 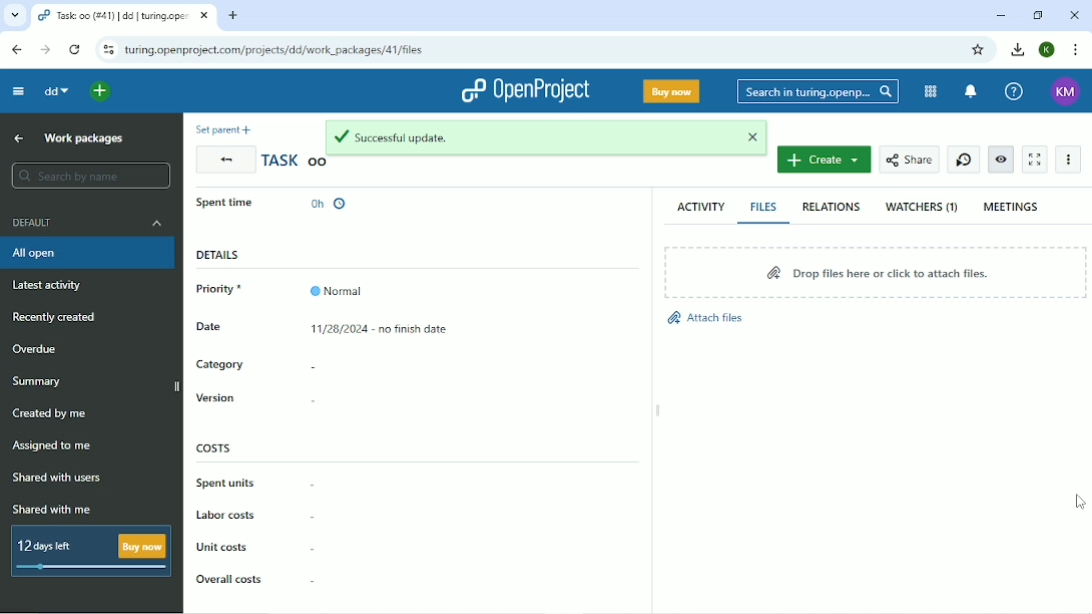 What do you see at coordinates (279, 289) in the screenshot?
I see `Priority` at bounding box center [279, 289].